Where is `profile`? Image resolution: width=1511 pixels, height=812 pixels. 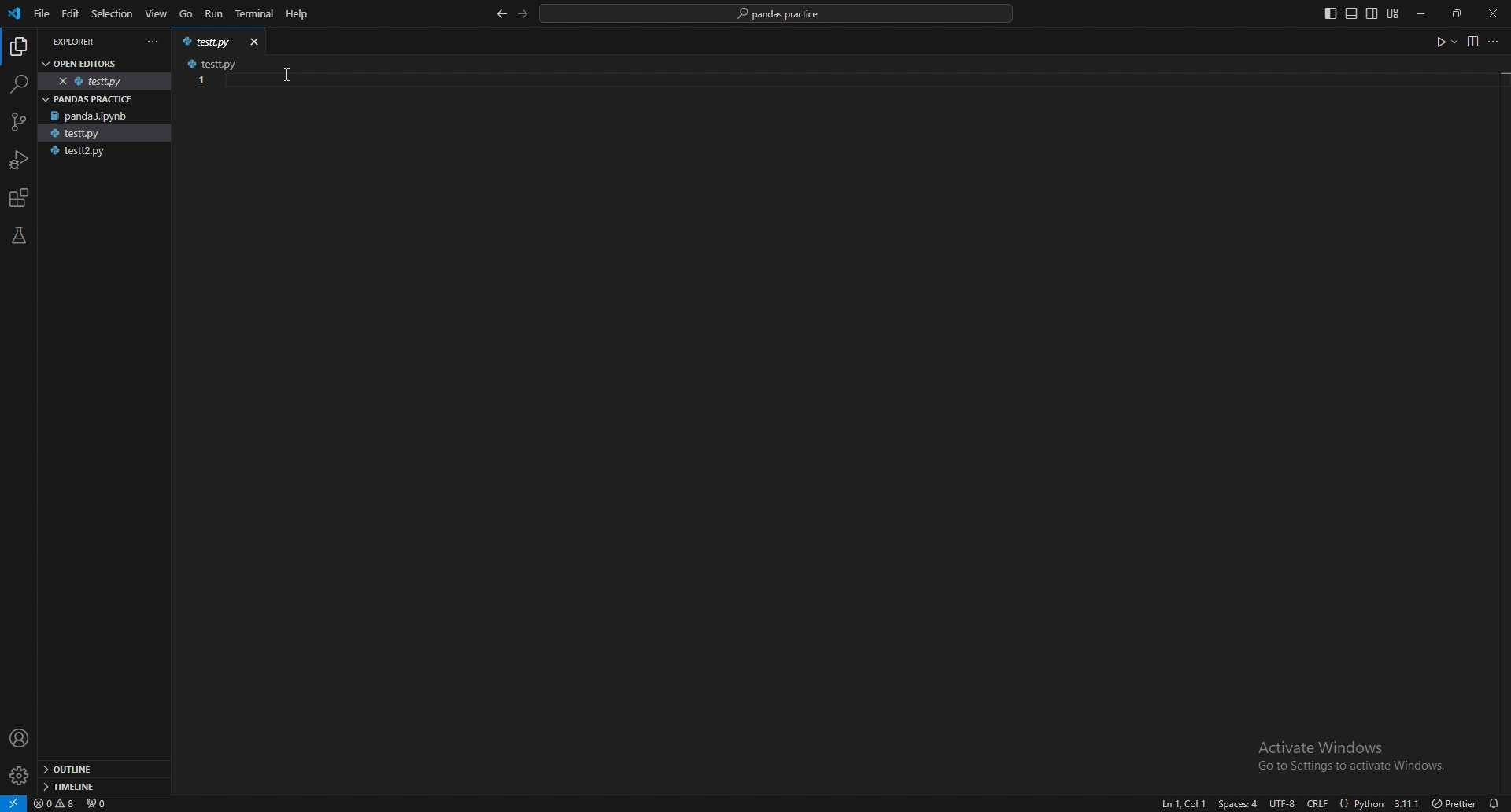
profile is located at coordinates (20, 739).